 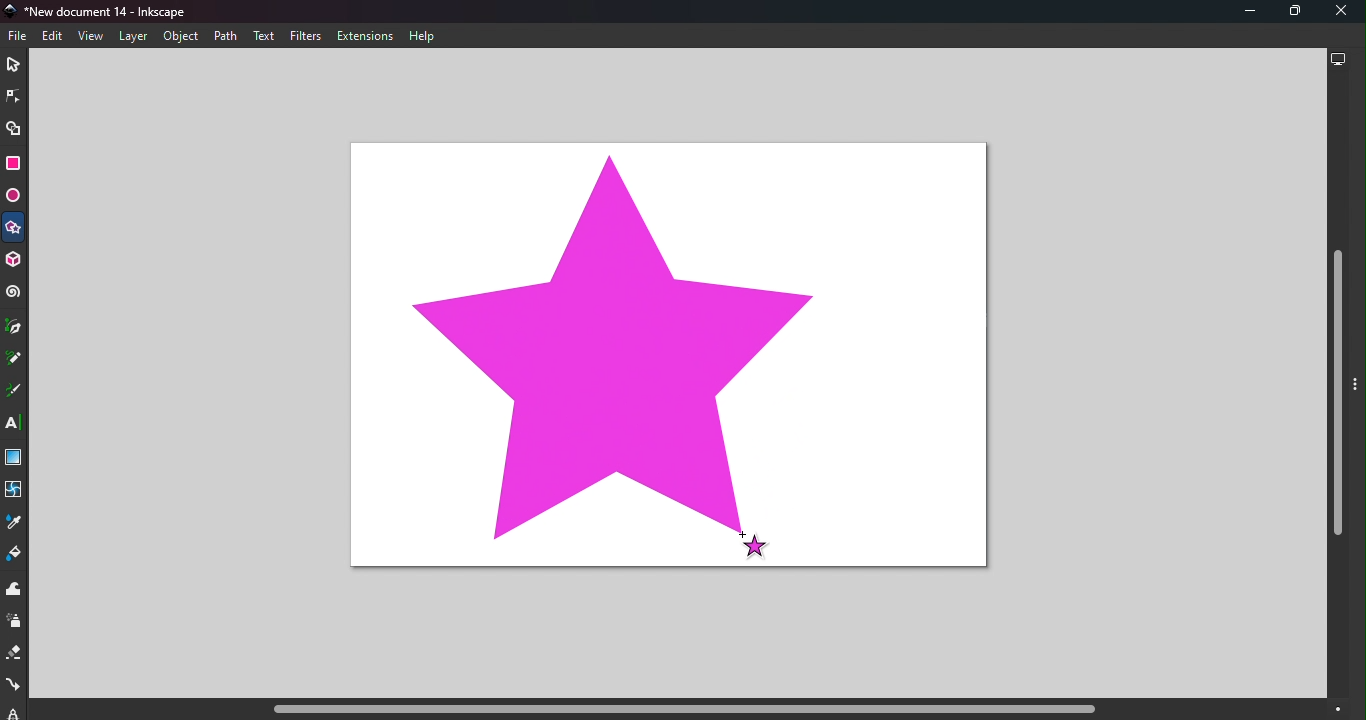 I want to click on Paint bucket tool, so click(x=16, y=556).